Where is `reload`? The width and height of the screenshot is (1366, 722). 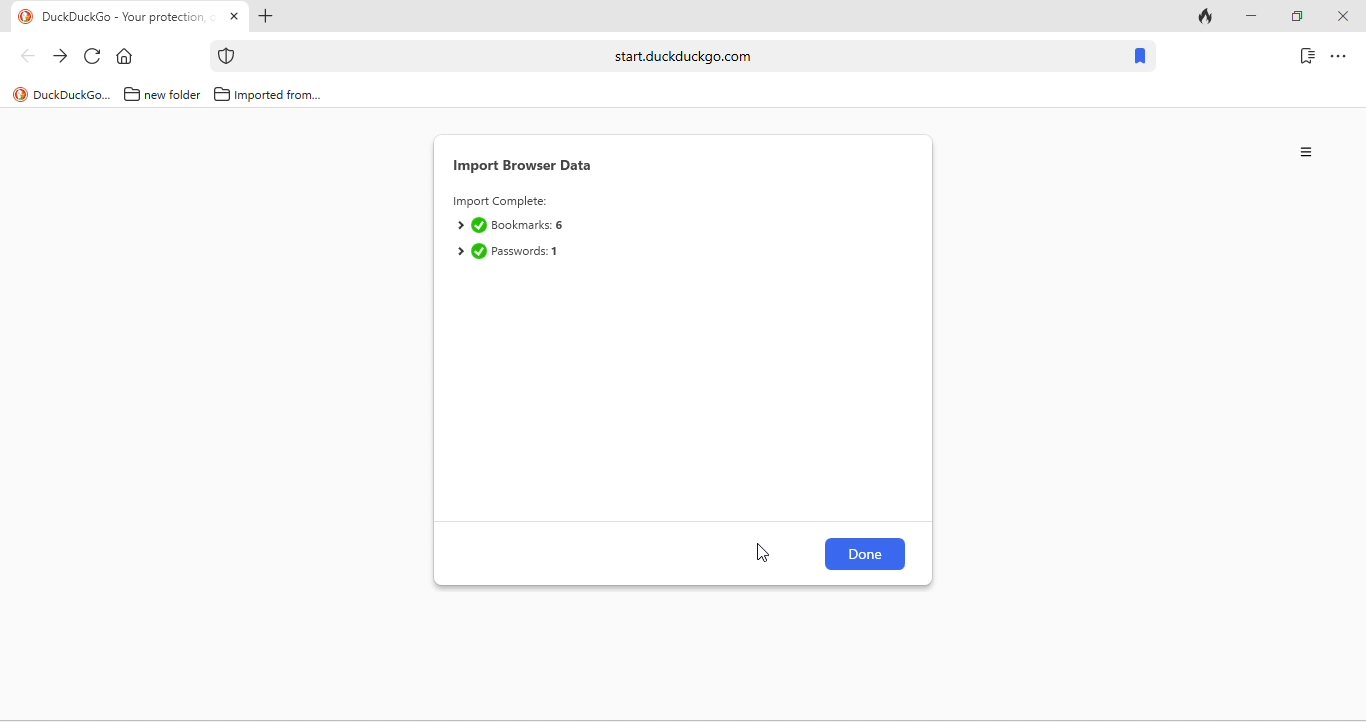 reload is located at coordinates (93, 57).